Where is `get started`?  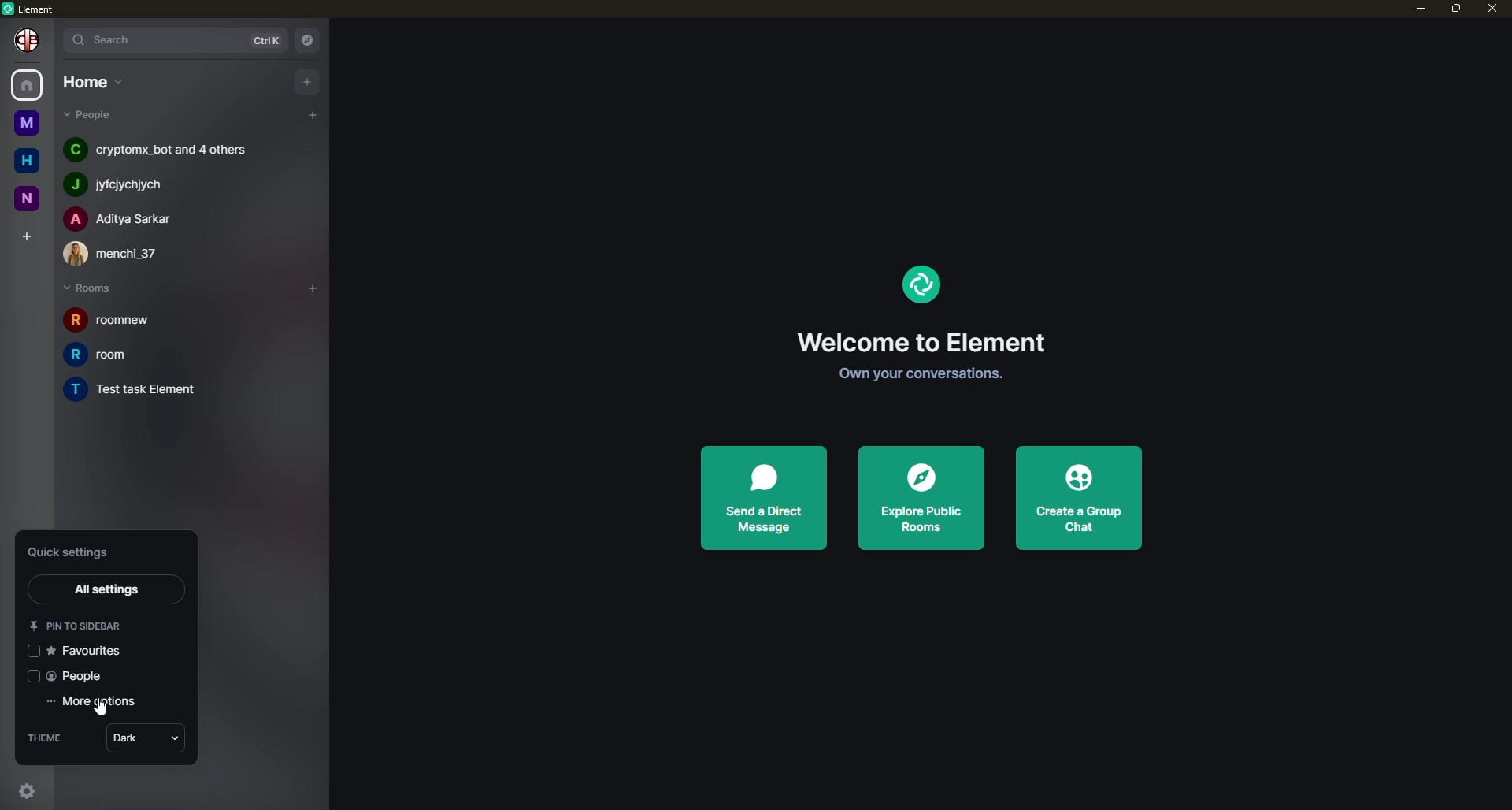
get started is located at coordinates (914, 373).